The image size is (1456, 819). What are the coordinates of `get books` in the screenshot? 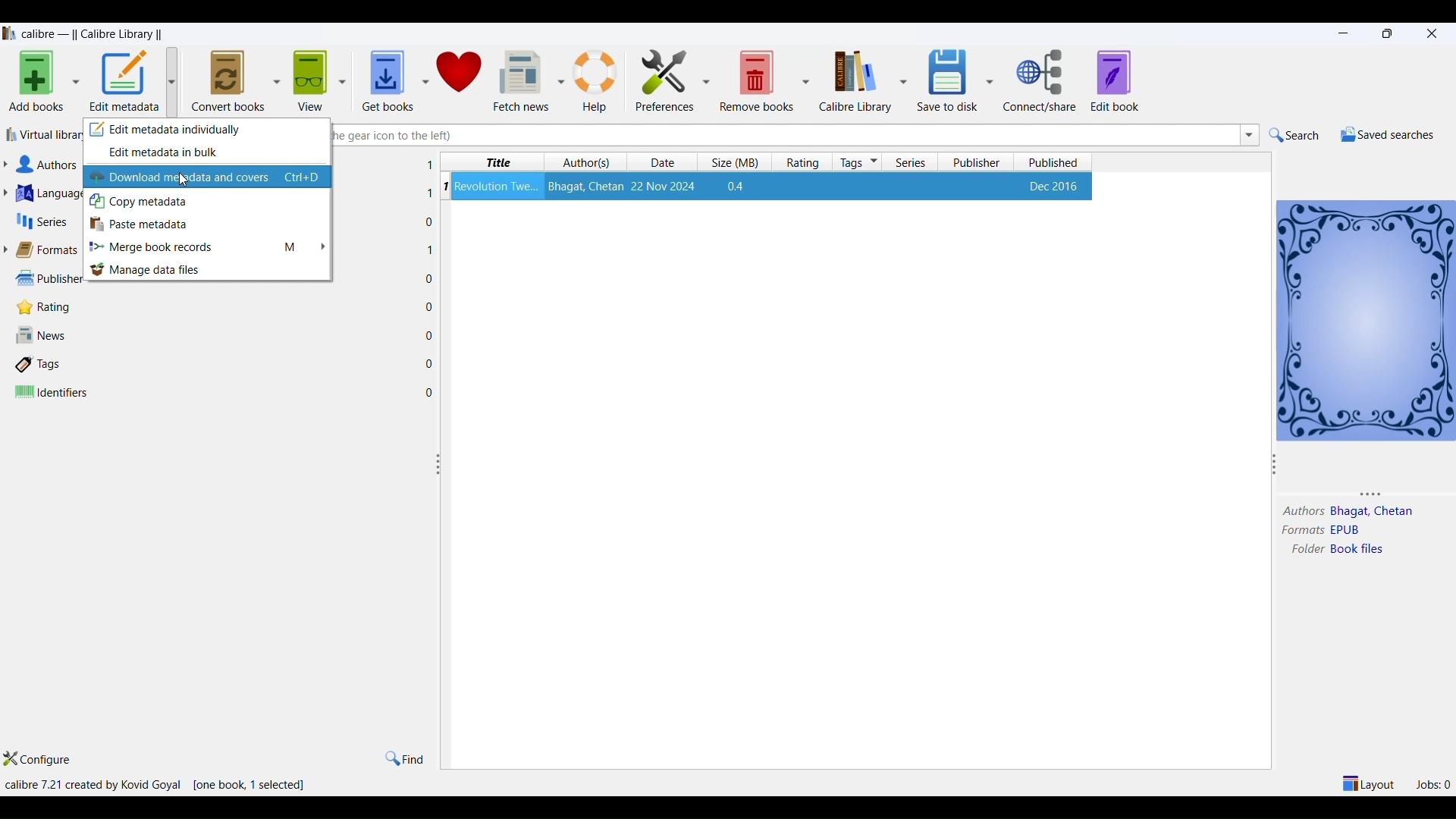 It's located at (384, 77).